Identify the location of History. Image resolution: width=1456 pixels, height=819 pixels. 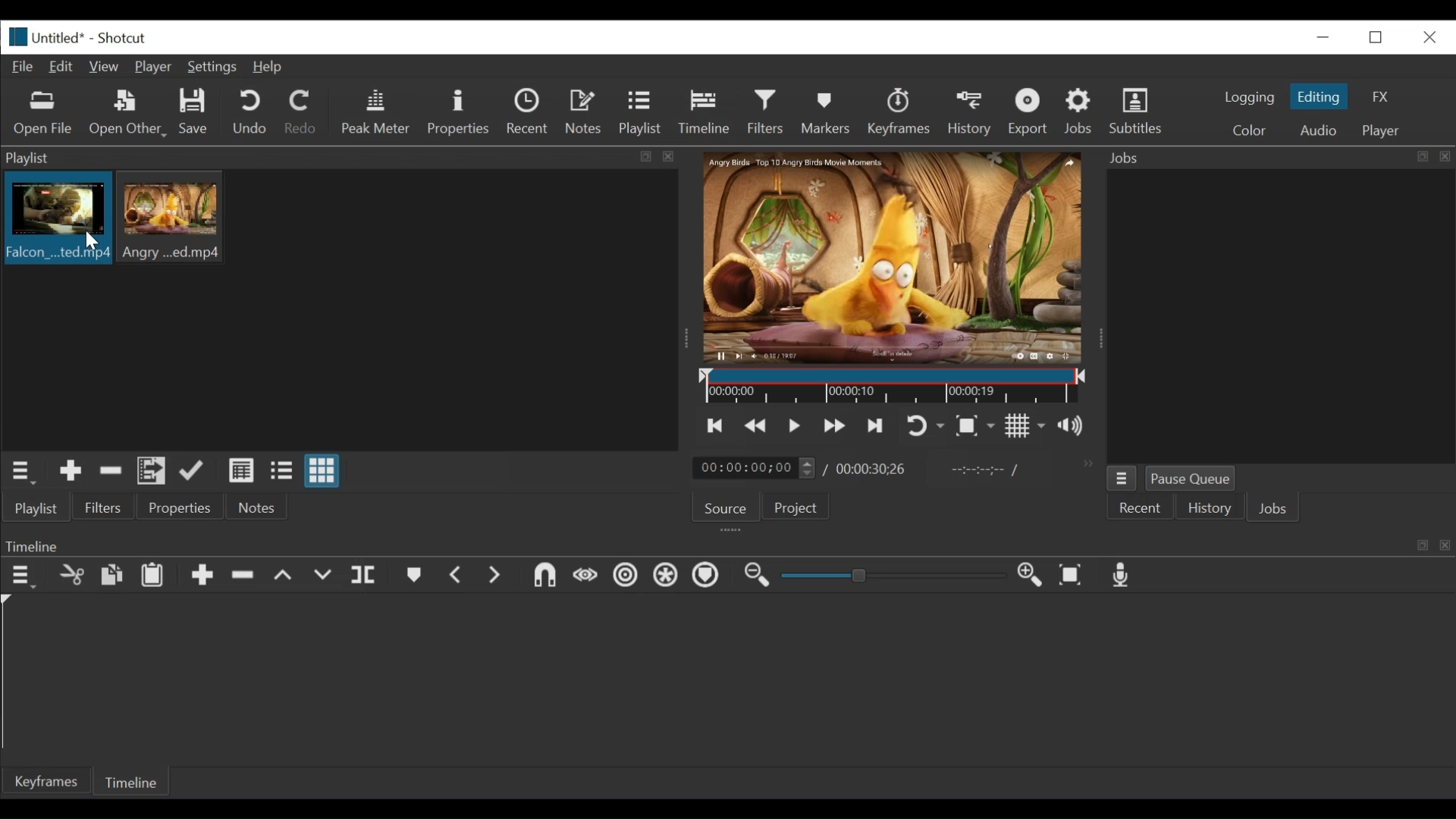
(972, 111).